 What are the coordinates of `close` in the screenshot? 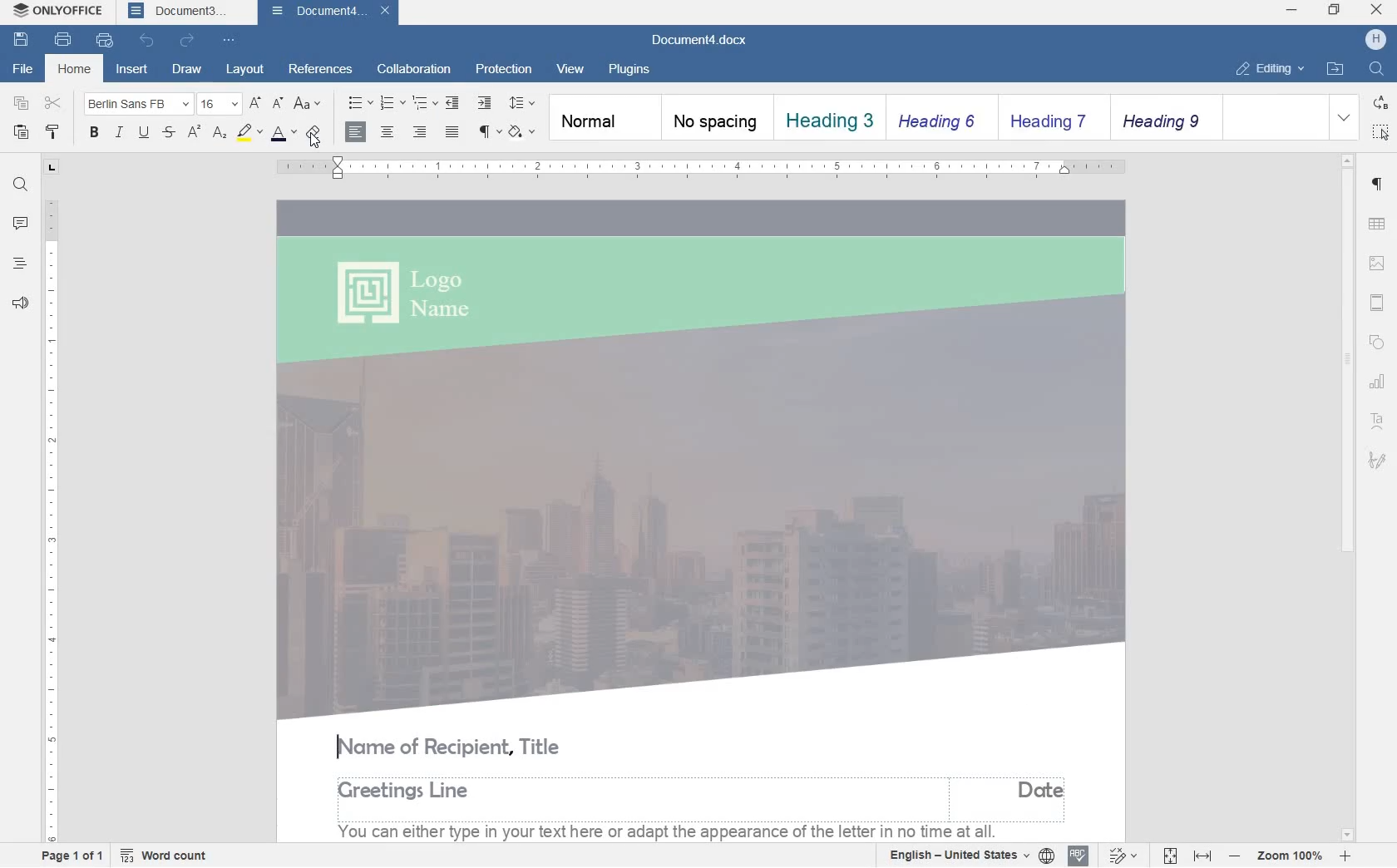 It's located at (1375, 9).